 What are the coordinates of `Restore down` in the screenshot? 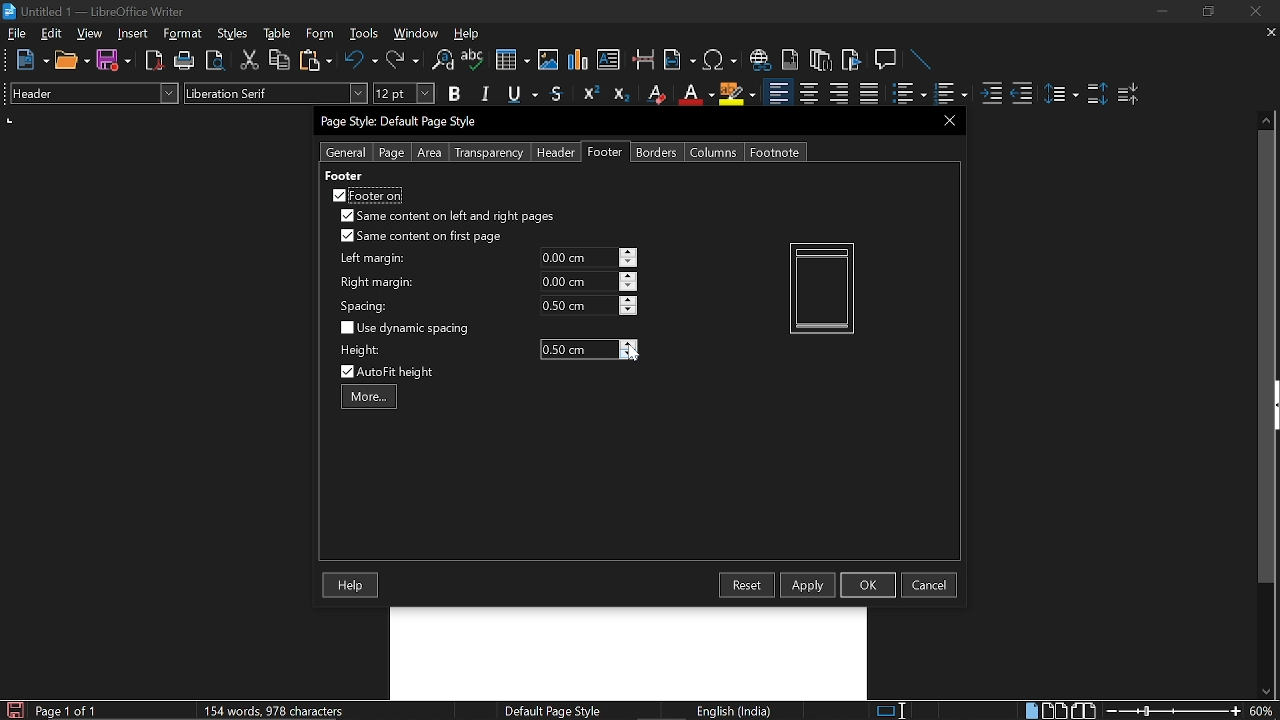 It's located at (1206, 12).